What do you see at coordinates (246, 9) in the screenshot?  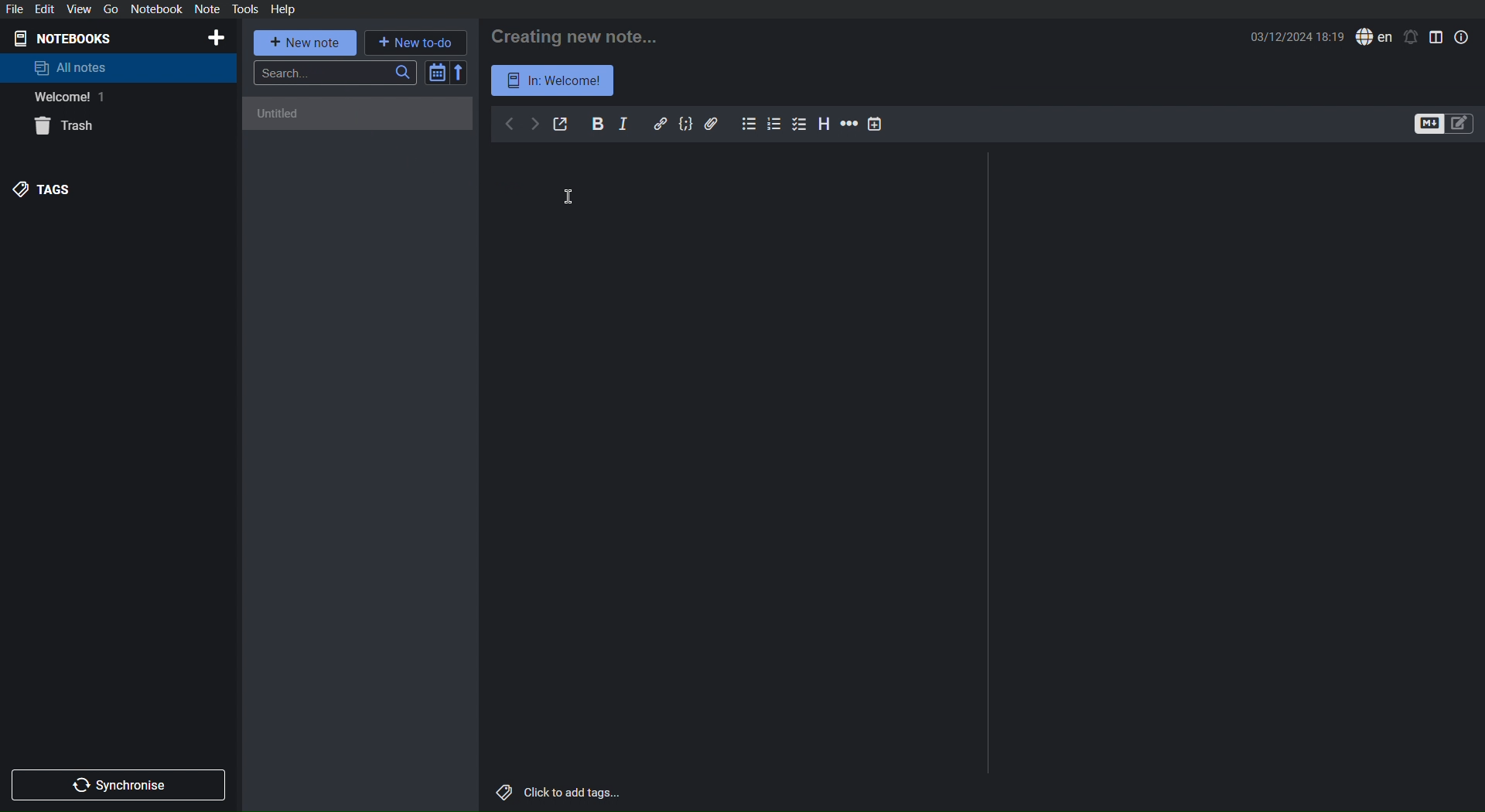 I see `Tools` at bounding box center [246, 9].